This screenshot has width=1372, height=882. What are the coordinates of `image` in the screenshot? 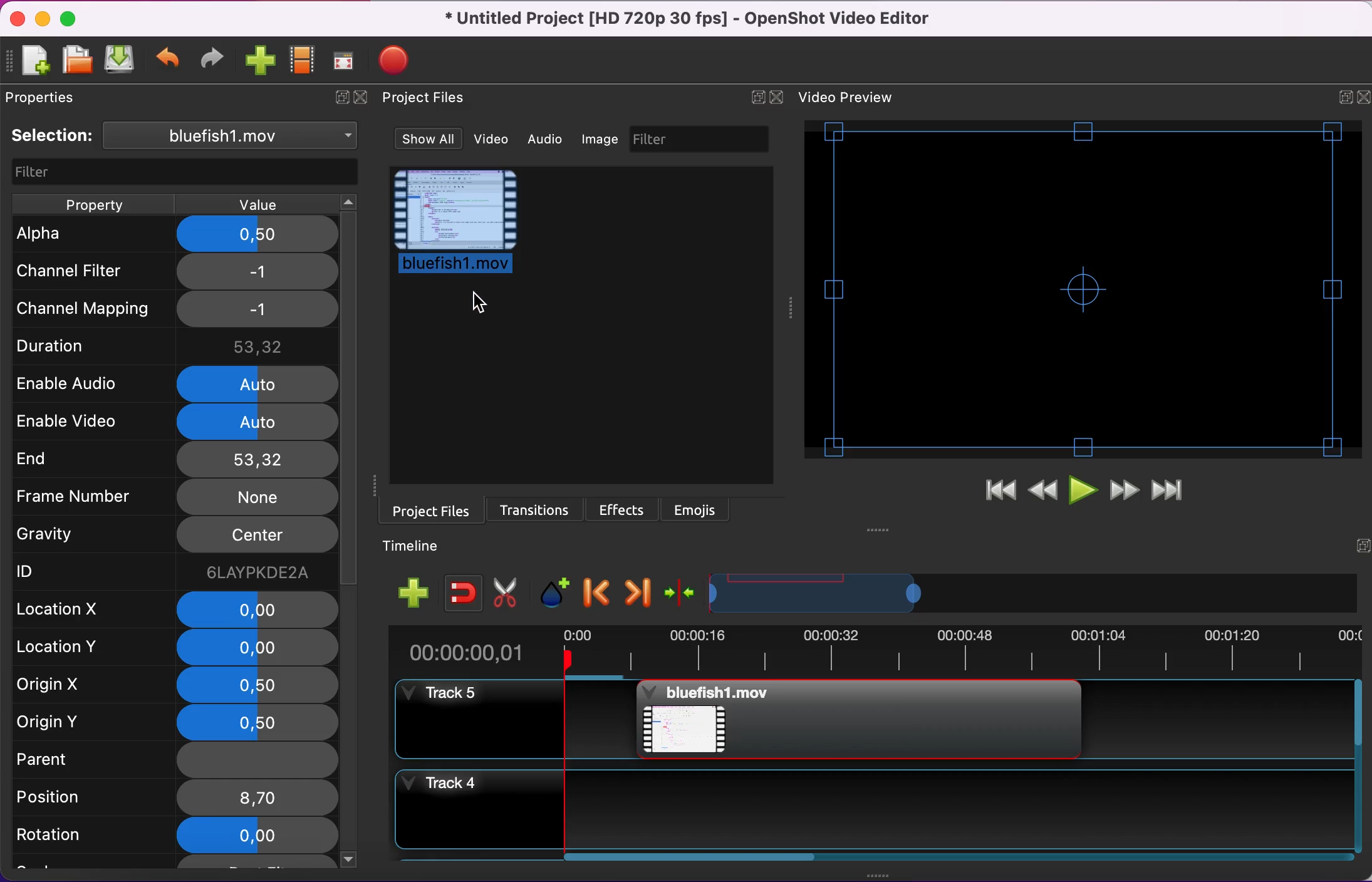 It's located at (602, 140).